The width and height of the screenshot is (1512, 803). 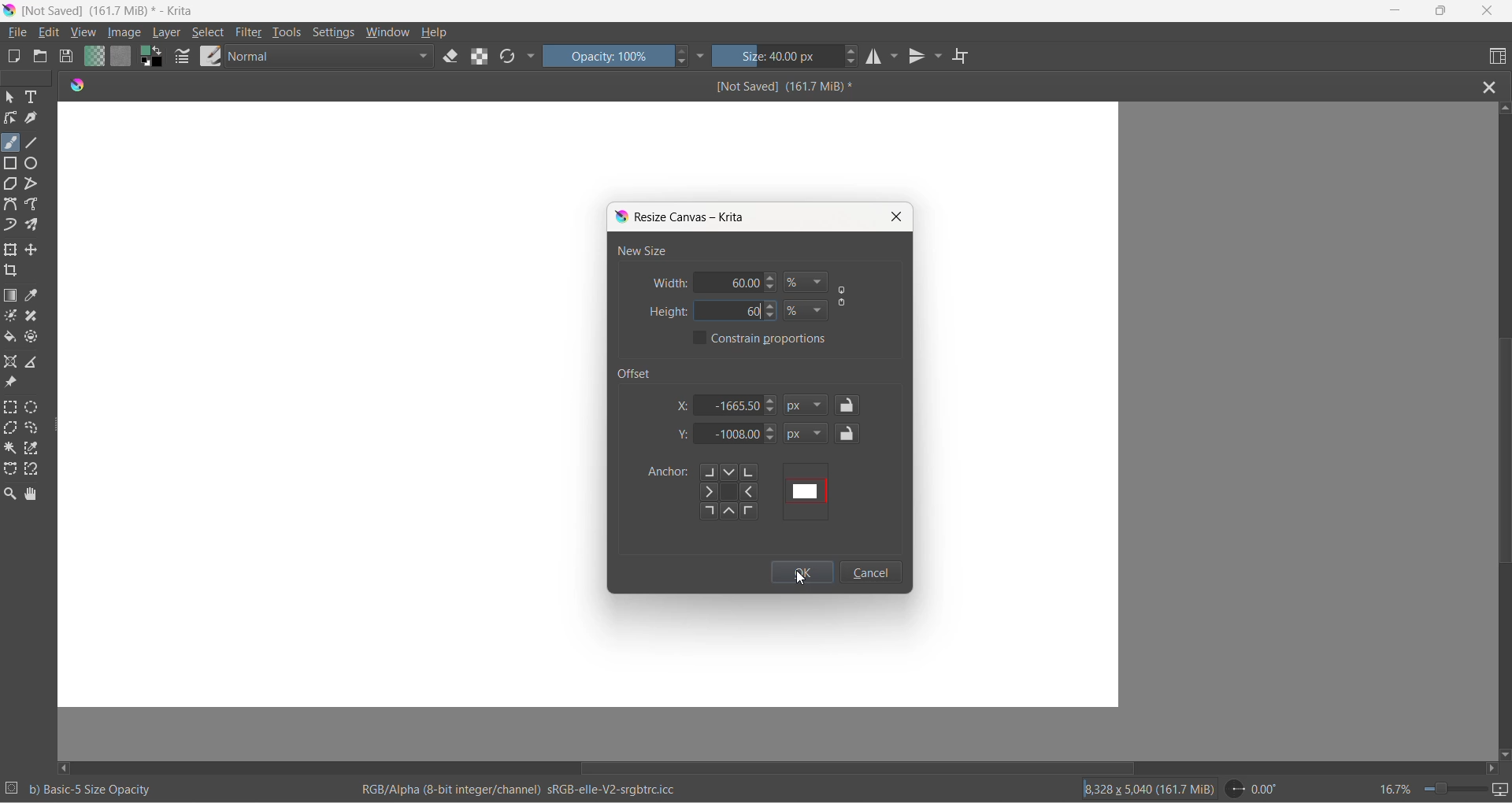 I want to click on tools, so click(x=289, y=35).